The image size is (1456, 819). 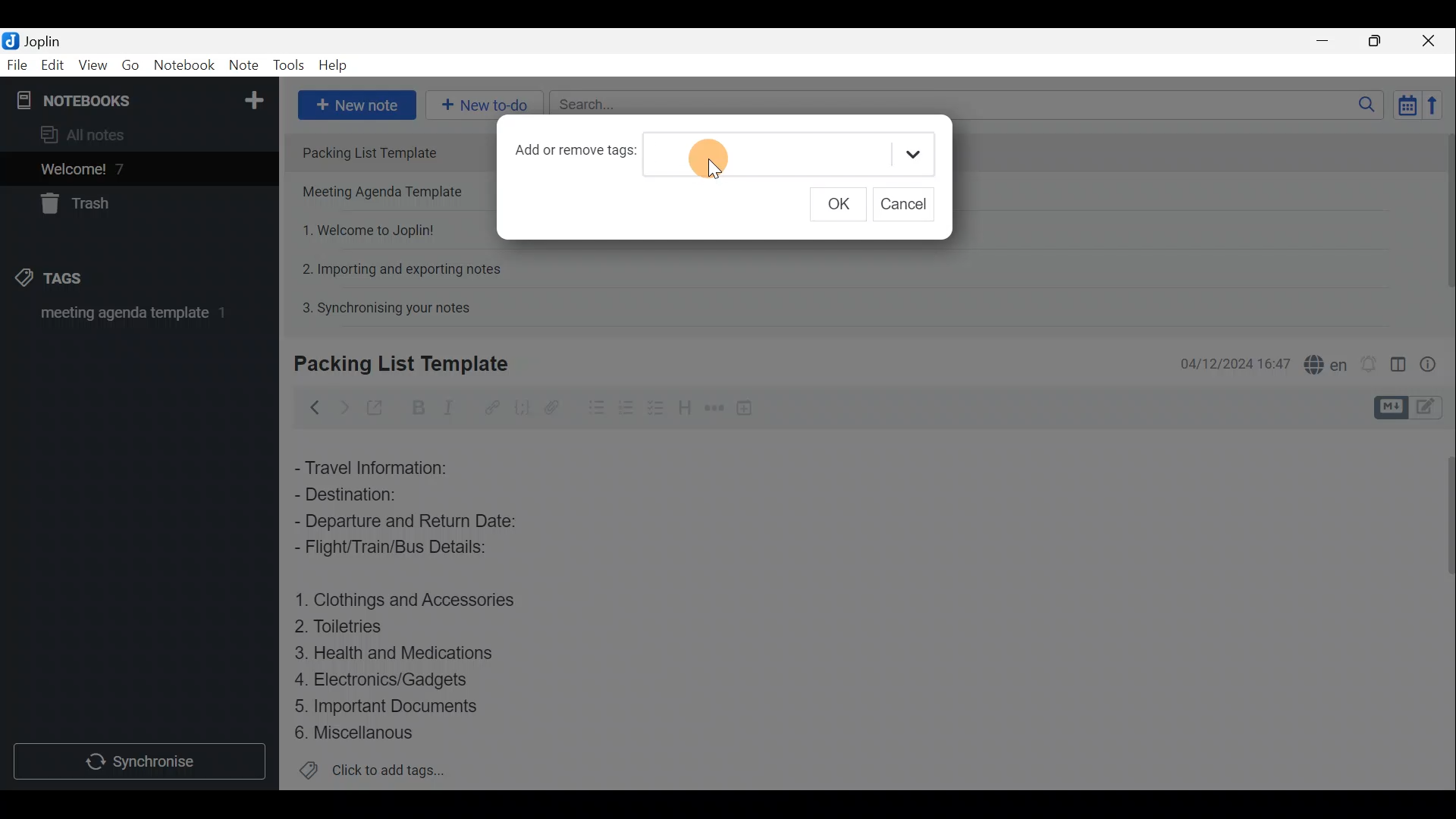 What do you see at coordinates (88, 134) in the screenshot?
I see `All notes` at bounding box center [88, 134].